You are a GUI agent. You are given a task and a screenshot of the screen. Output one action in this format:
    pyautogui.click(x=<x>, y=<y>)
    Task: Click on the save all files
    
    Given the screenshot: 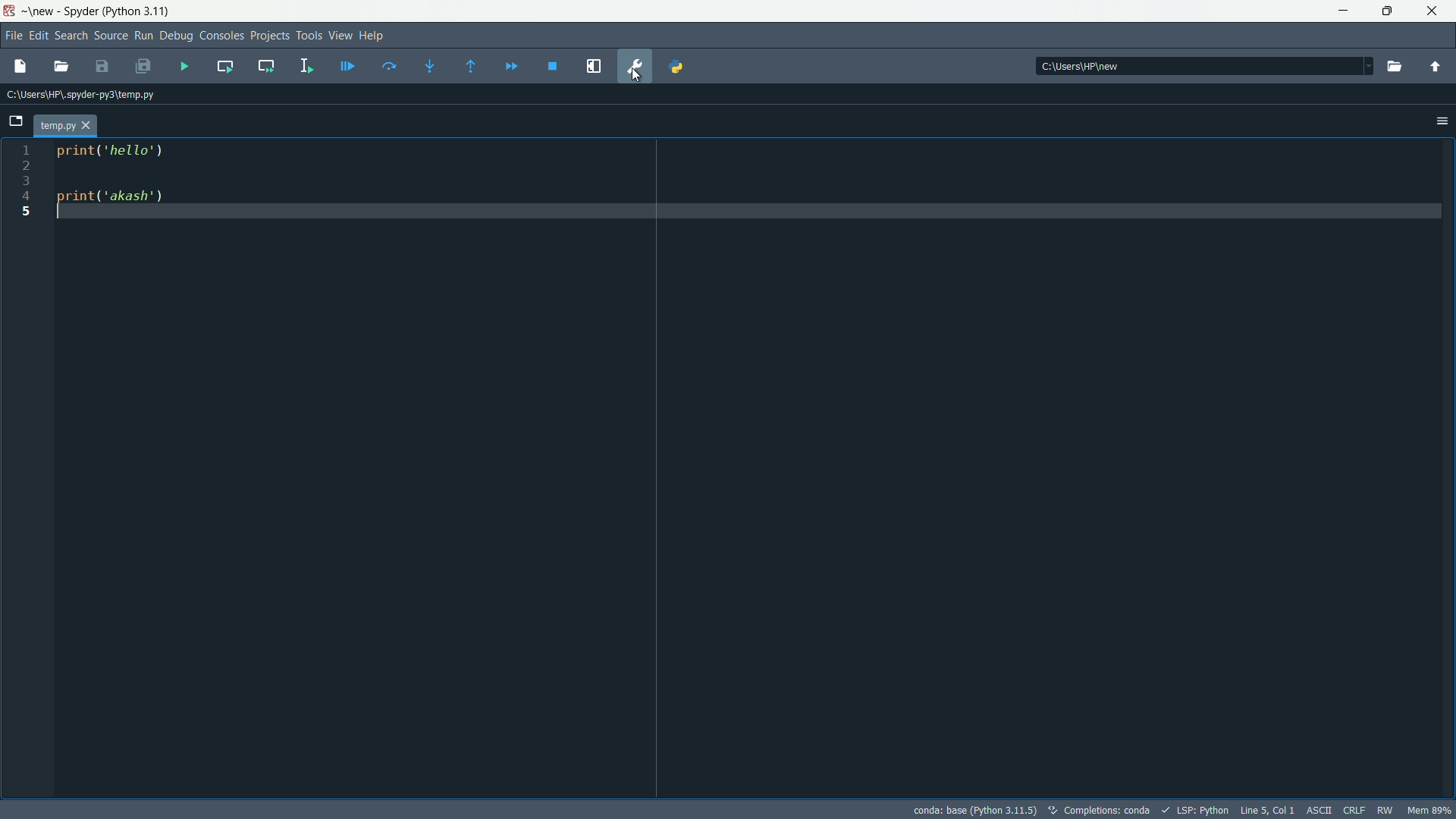 What is the action you would take?
    pyautogui.click(x=143, y=67)
    